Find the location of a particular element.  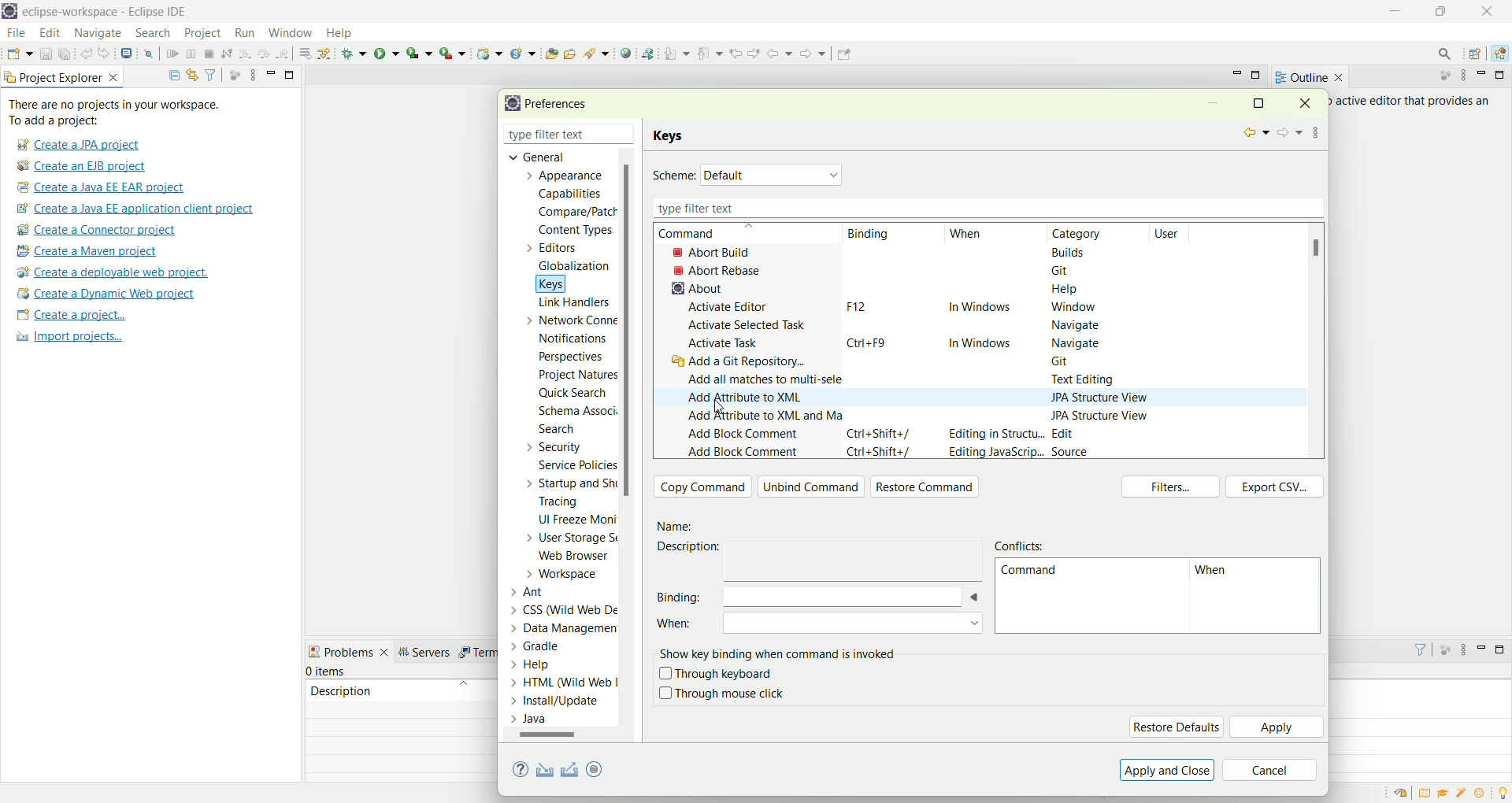

maximize is located at coordinates (1503, 75).